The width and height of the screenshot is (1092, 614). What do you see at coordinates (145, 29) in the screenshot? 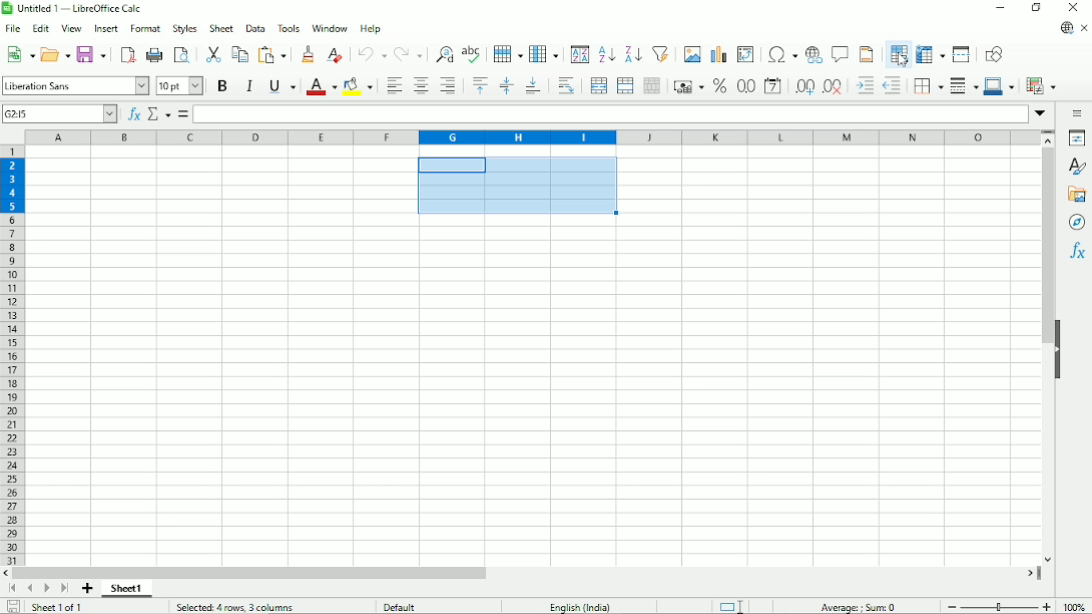
I see `Format` at bounding box center [145, 29].